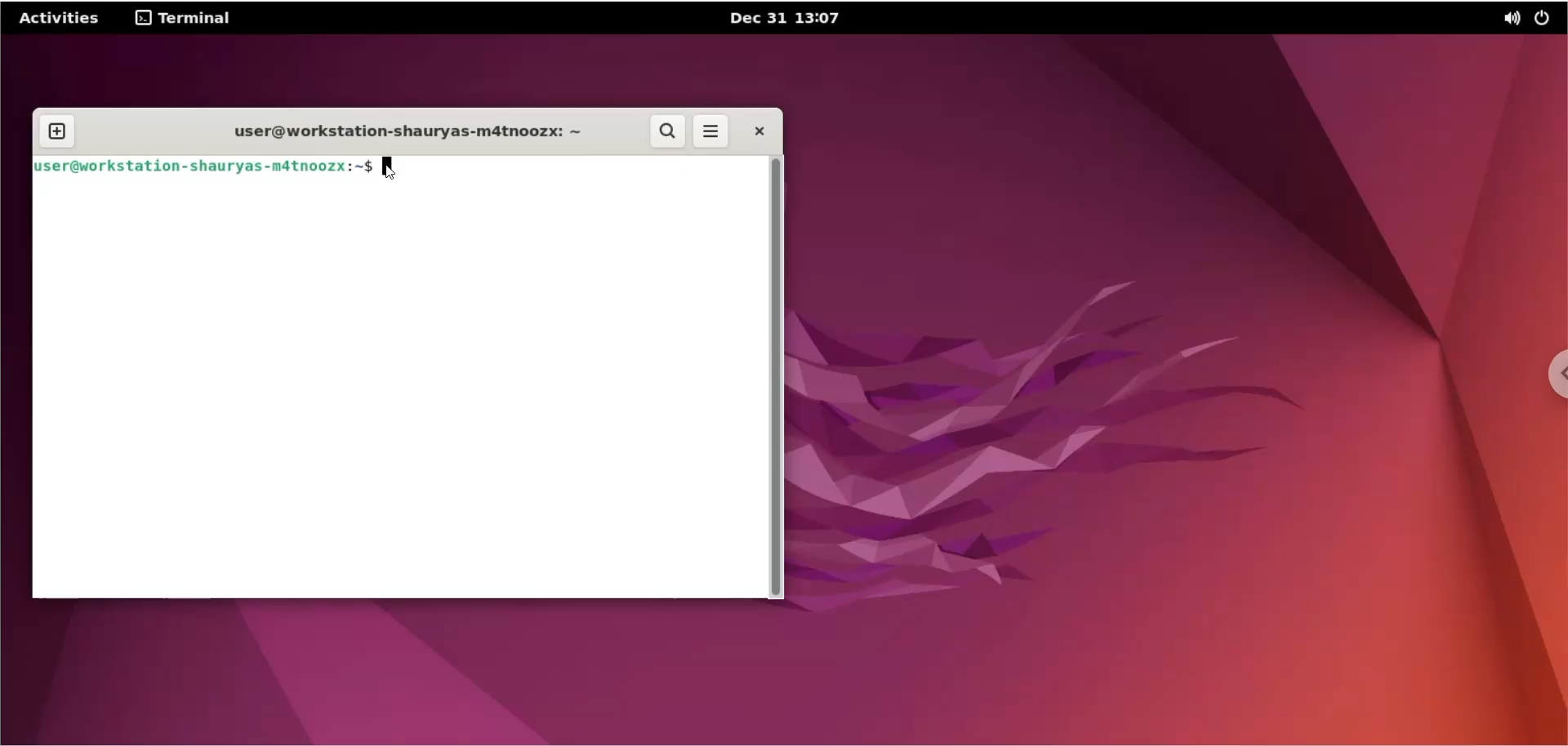  I want to click on Dec 31 13:07, so click(792, 19).